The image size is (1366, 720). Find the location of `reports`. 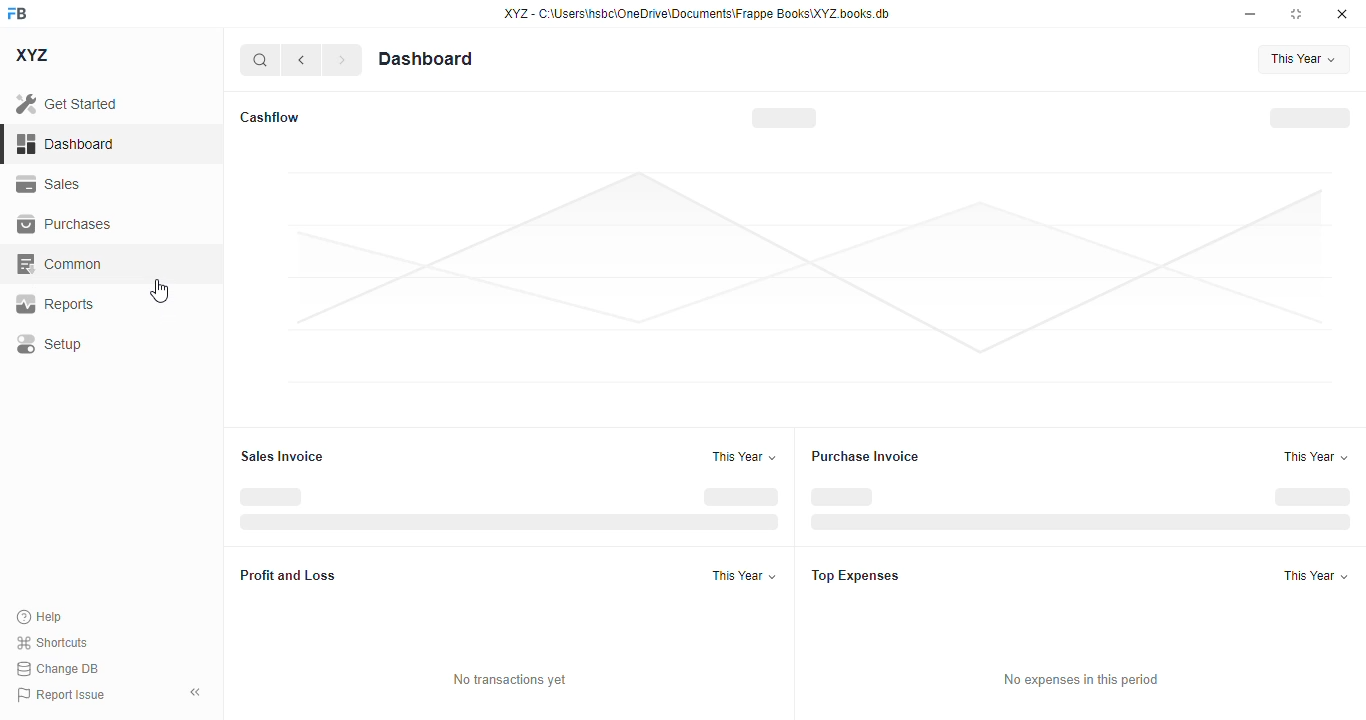

reports is located at coordinates (55, 304).